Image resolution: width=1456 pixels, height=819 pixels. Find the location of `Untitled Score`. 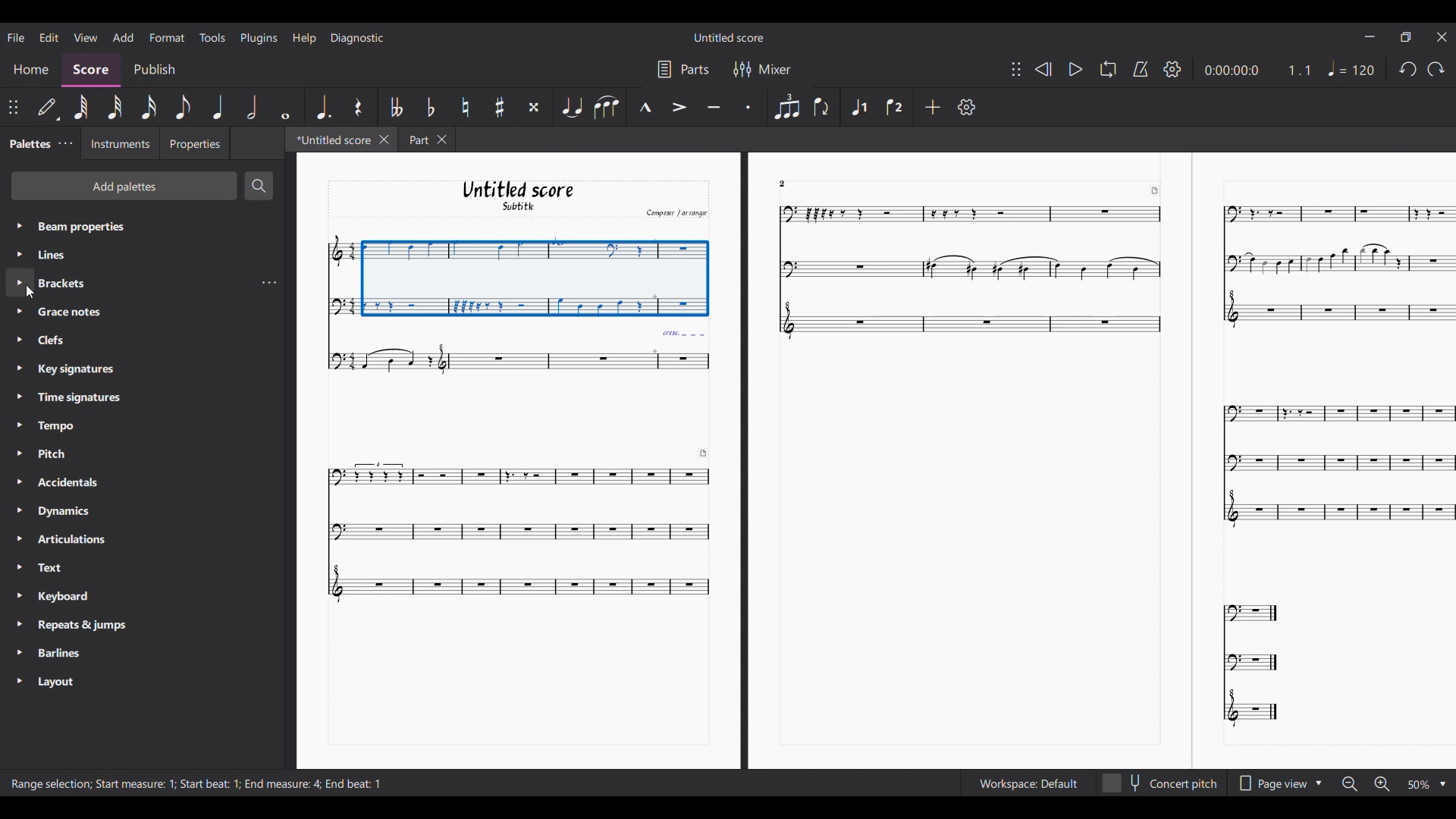

Untitled Score is located at coordinates (729, 37).